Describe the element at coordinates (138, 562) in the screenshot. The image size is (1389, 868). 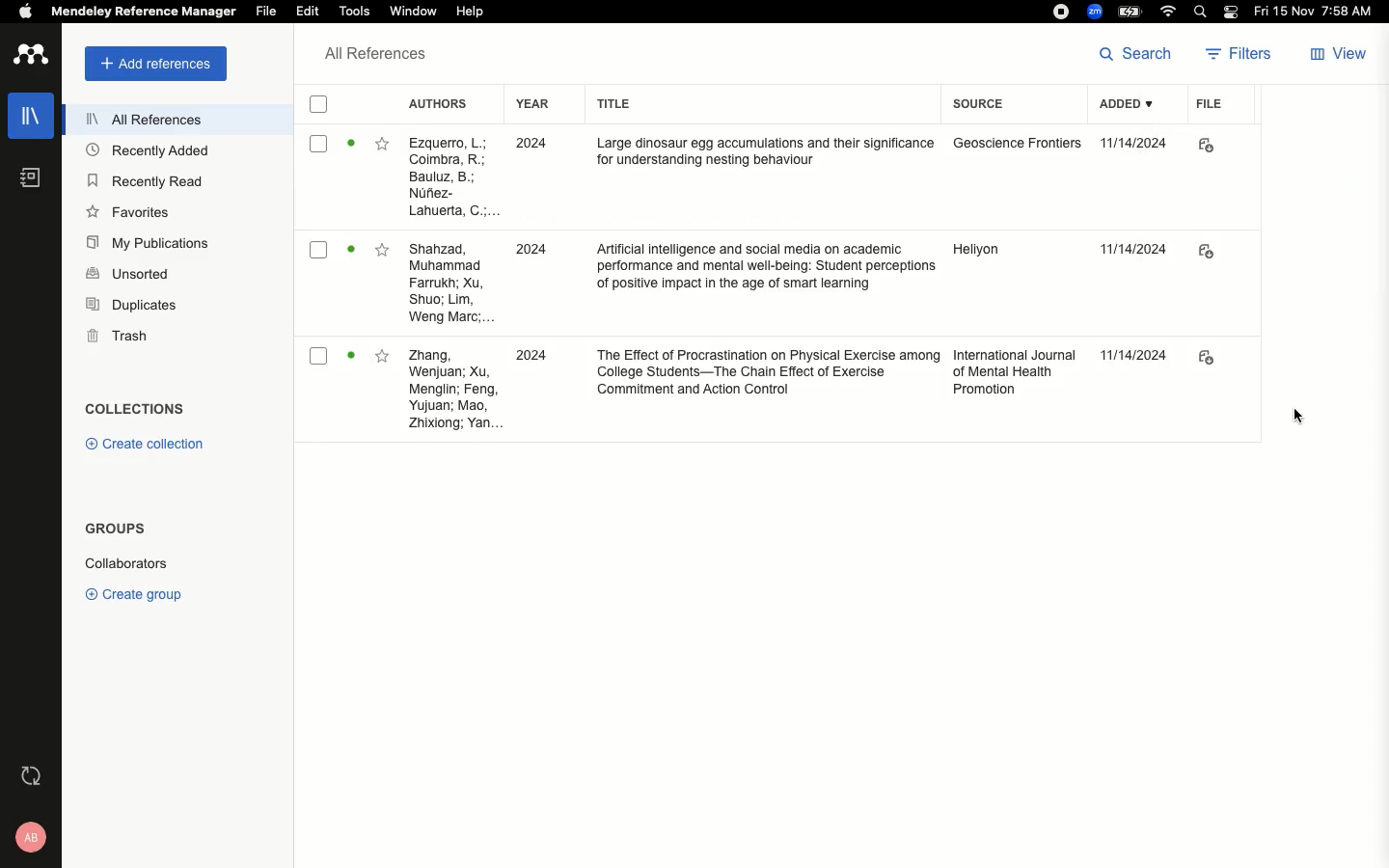
I see `Collaborators` at that location.